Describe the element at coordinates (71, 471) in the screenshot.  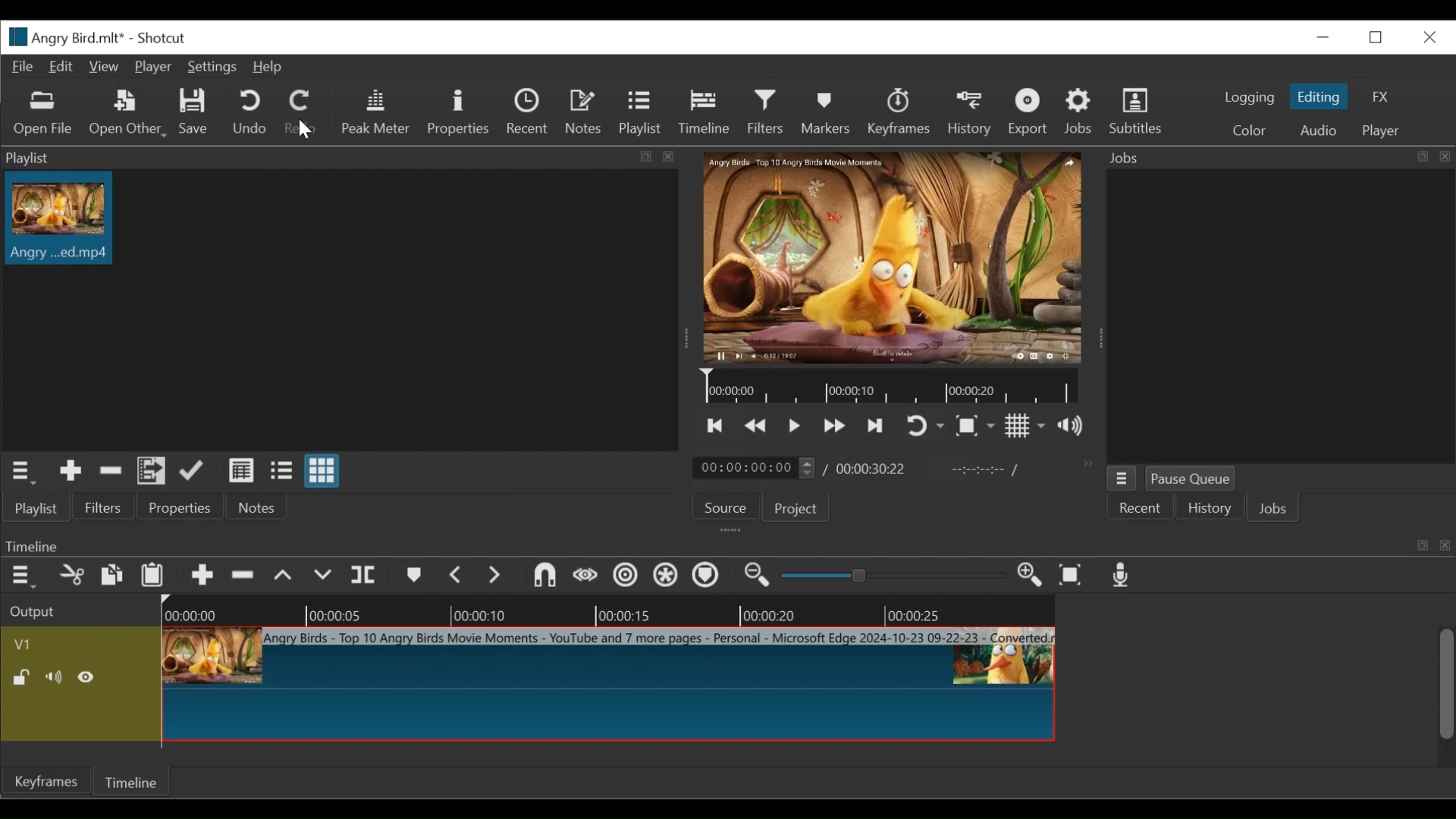
I see `Add Source to the playlist` at that location.